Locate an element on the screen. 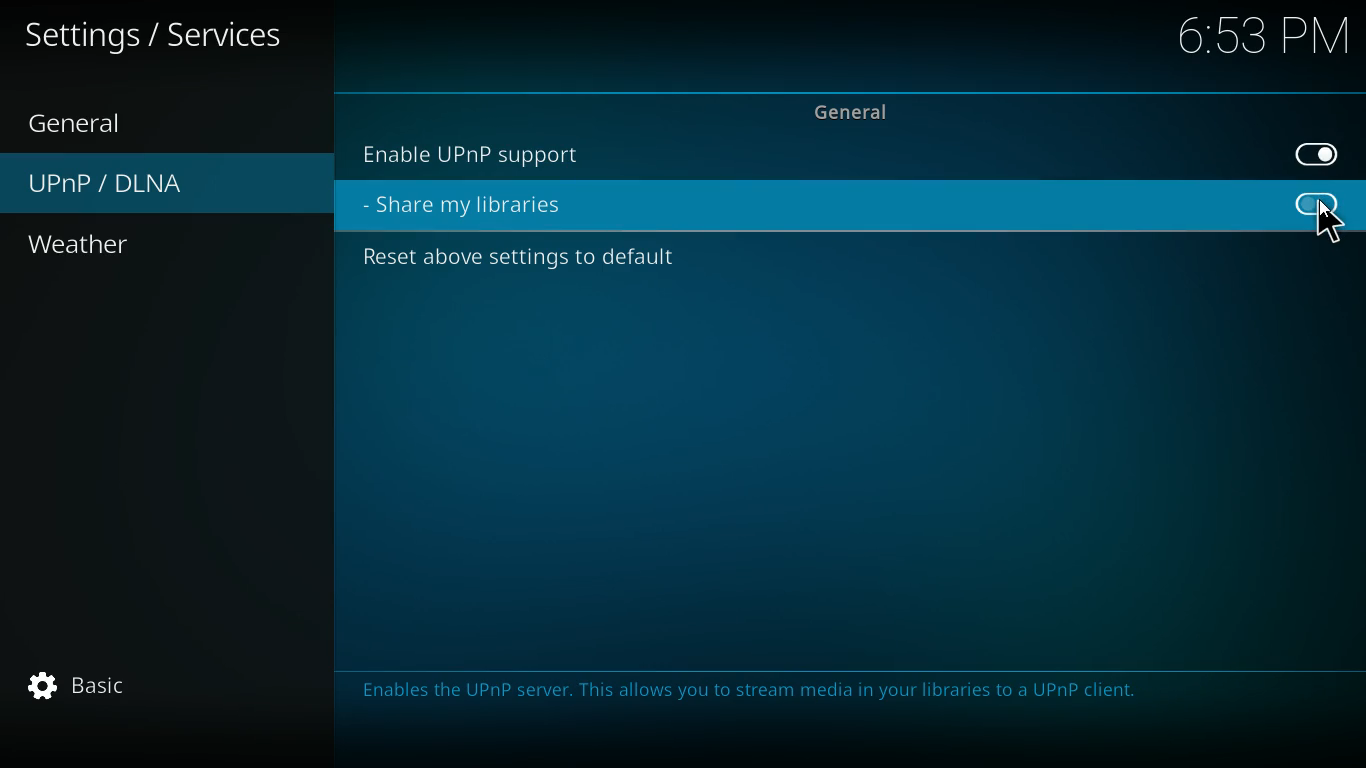 This screenshot has width=1366, height=768. 6:53 PM is located at coordinates (1256, 40).